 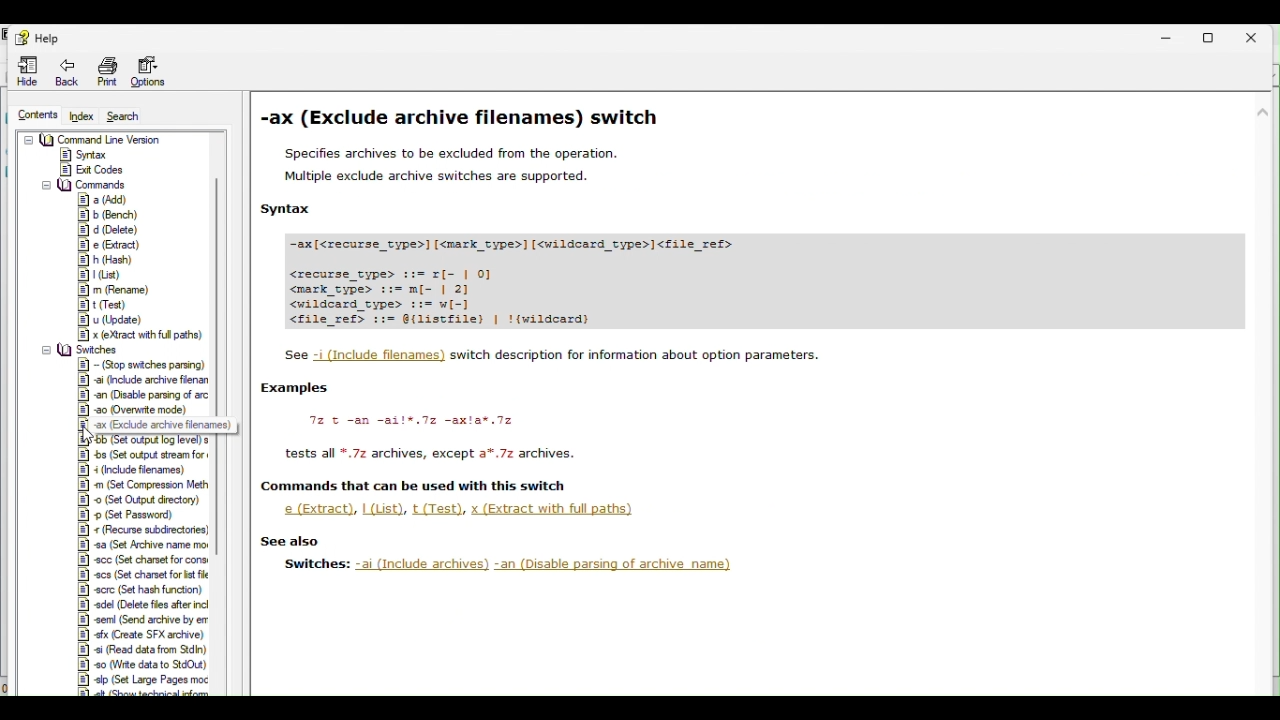 What do you see at coordinates (410, 420) in the screenshot?
I see `Jz t -an -ai'*.7z -ax'a*.7z` at bounding box center [410, 420].